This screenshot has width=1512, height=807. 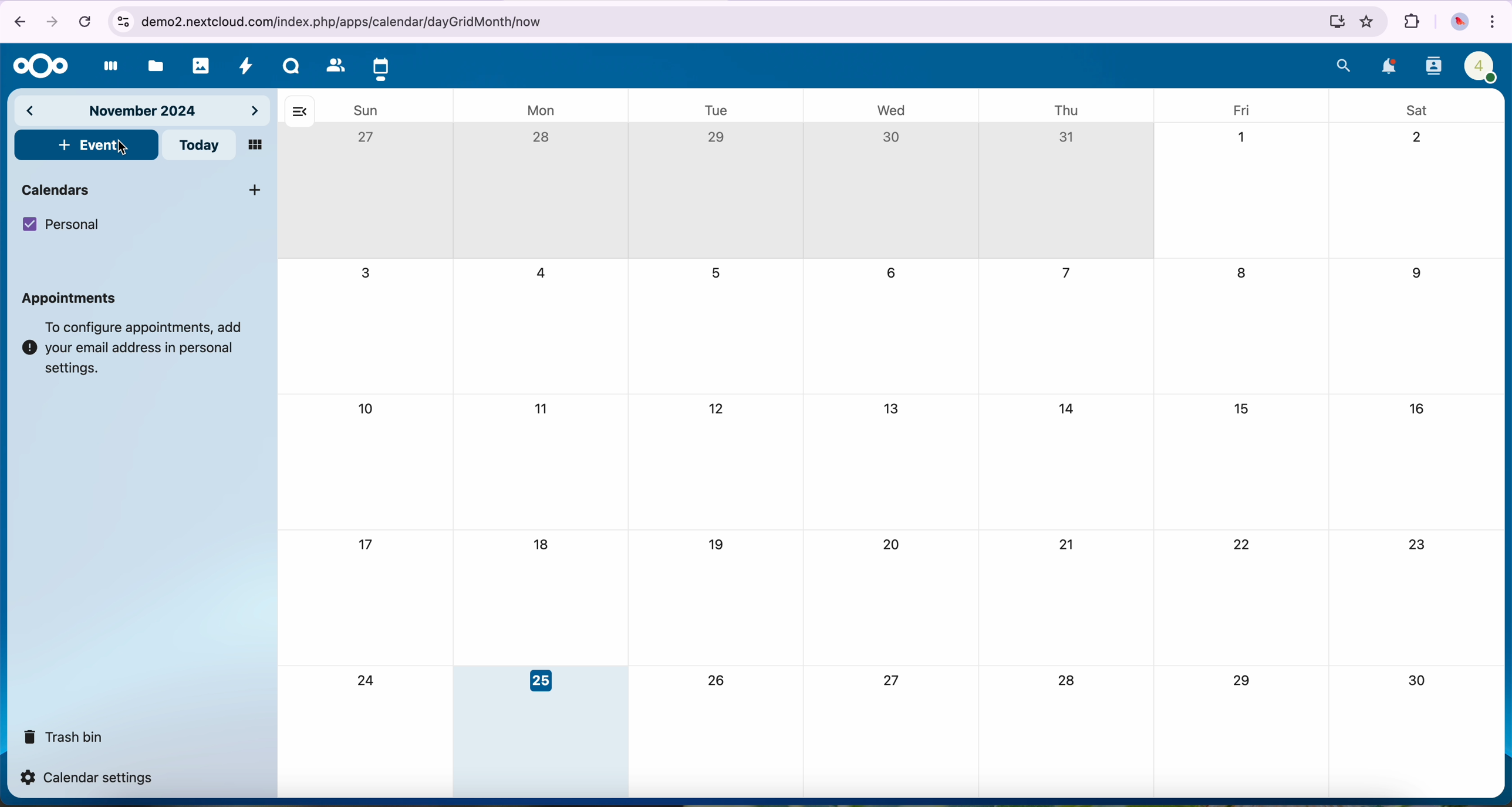 I want to click on 27, so click(x=369, y=138).